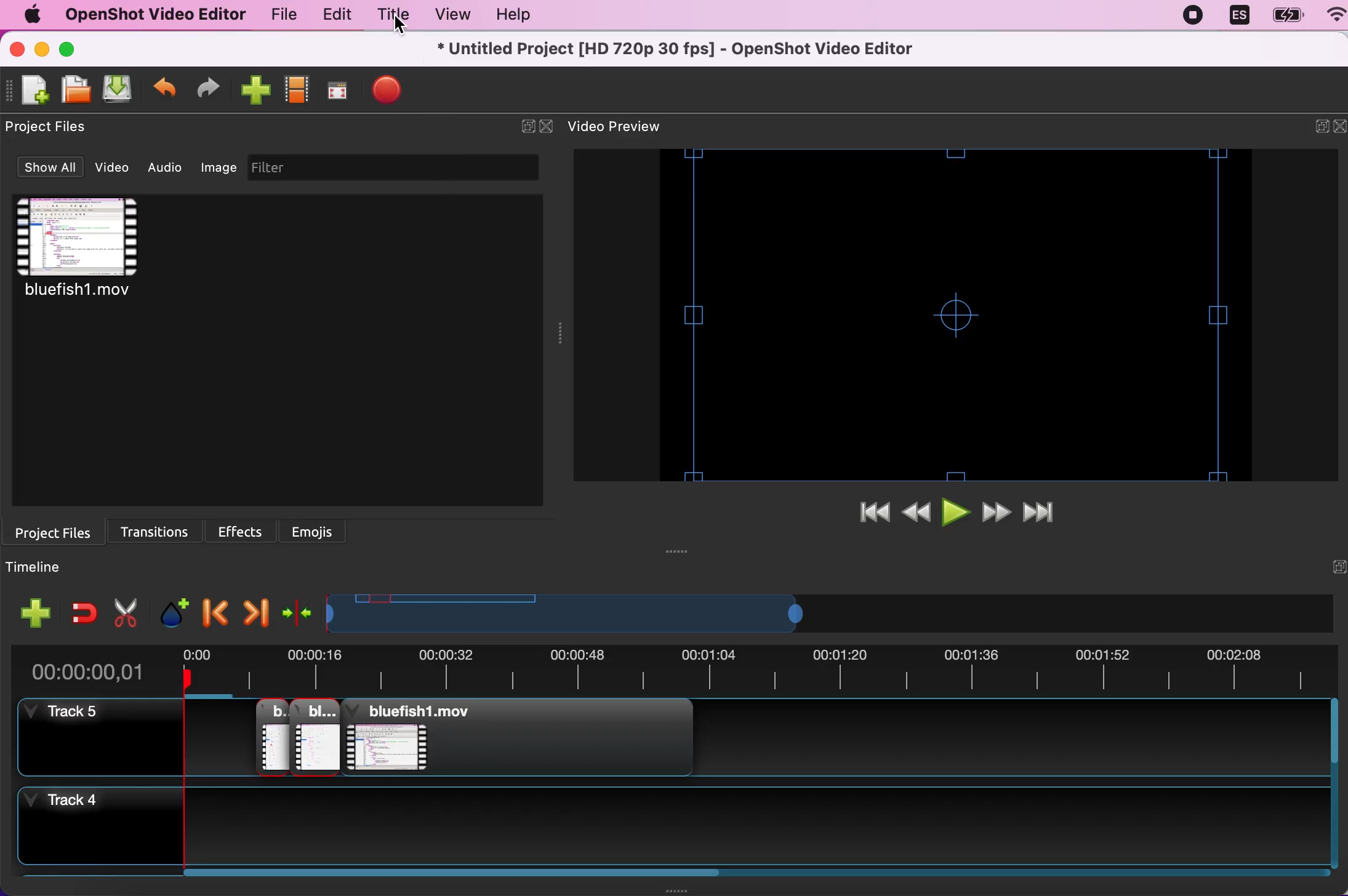 This screenshot has width=1348, height=896. What do you see at coordinates (957, 514) in the screenshot?
I see `play` at bounding box center [957, 514].